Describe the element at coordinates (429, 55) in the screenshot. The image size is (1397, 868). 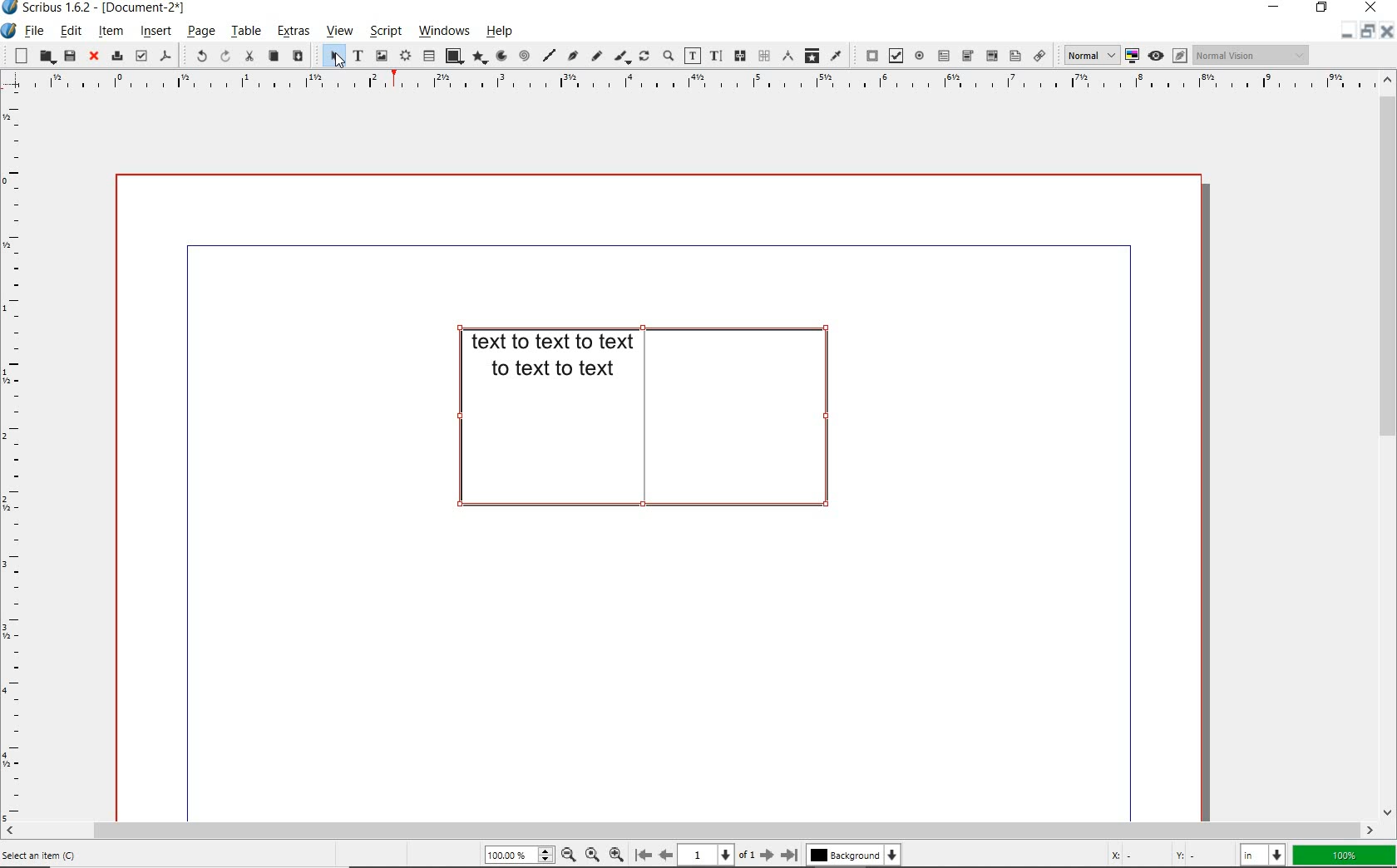
I see `table` at that location.